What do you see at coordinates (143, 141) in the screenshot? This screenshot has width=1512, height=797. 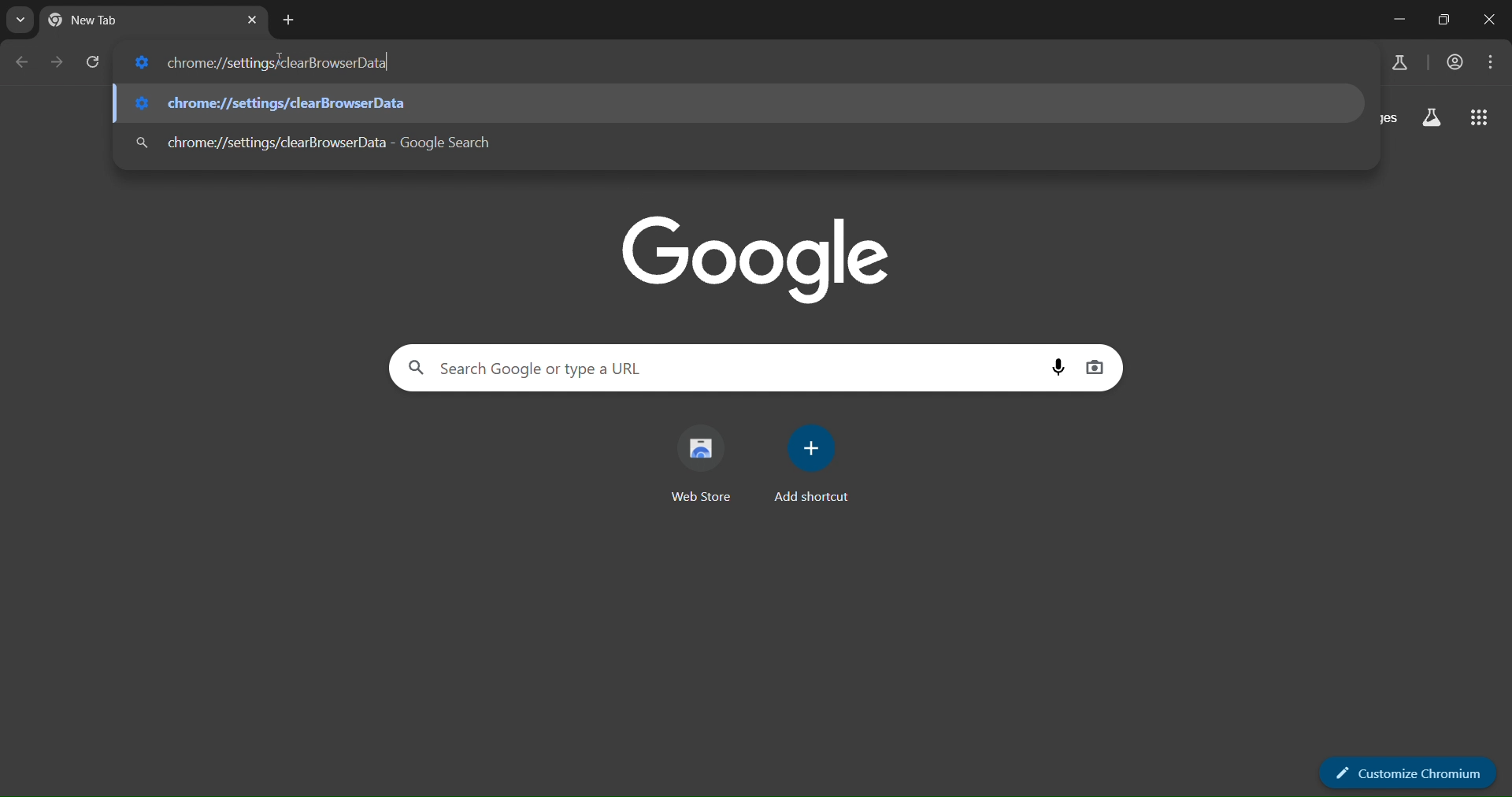 I see `search` at bounding box center [143, 141].